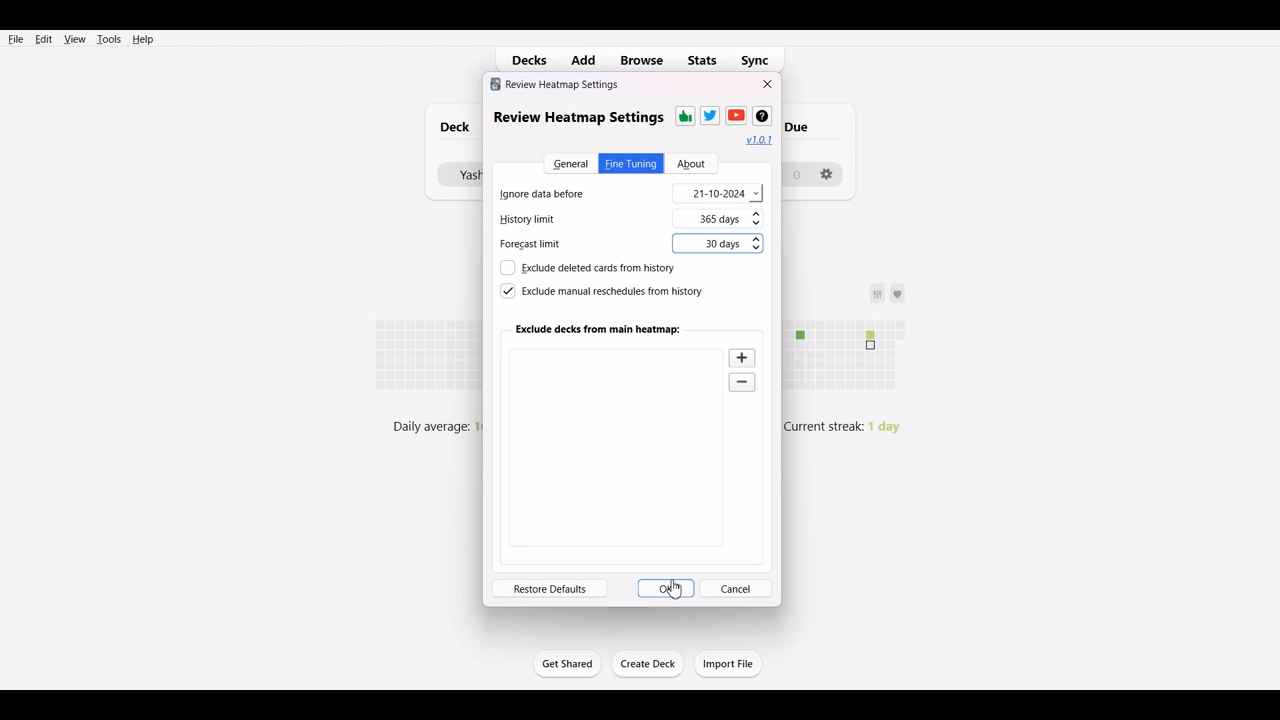 The height and width of the screenshot is (720, 1280). Describe the element at coordinates (691, 164) in the screenshot. I see `About` at that location.